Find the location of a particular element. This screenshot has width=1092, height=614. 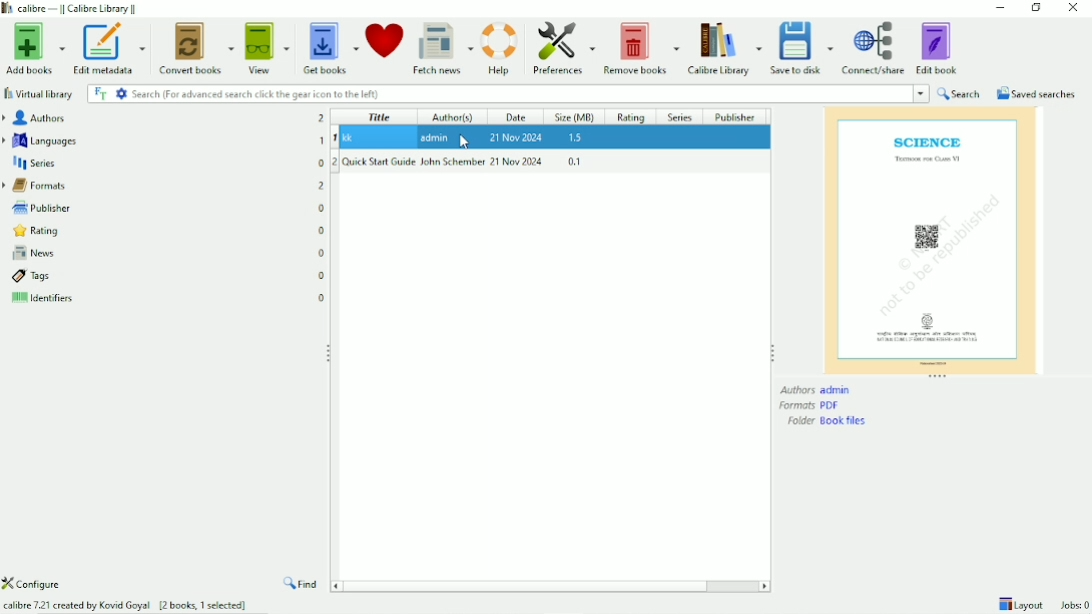

Convert books is located at coordinates (196, 48).